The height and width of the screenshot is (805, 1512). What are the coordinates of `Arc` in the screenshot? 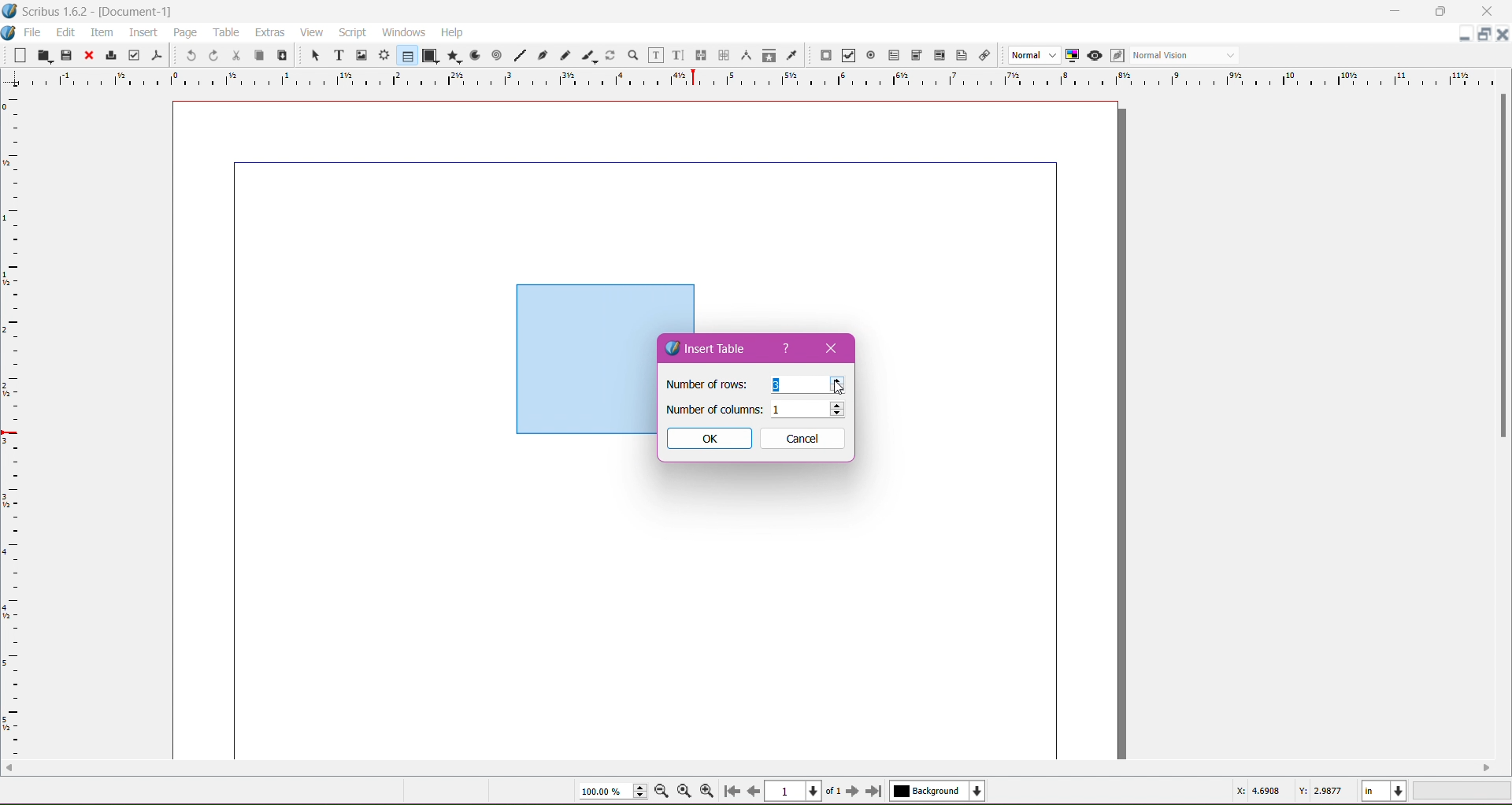 It's located at (473, 54).